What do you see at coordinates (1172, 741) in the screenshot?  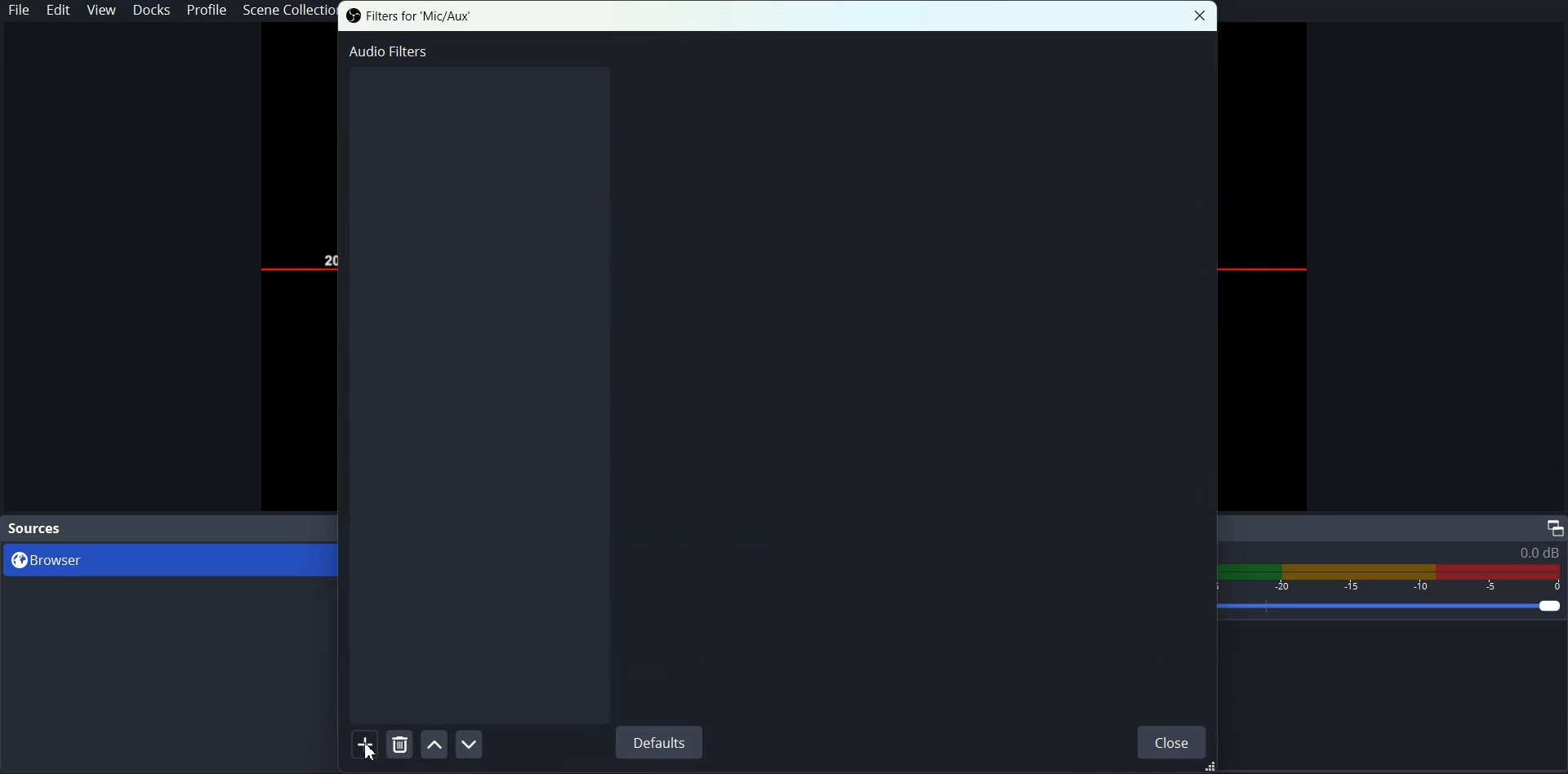 I see `Close` at bounding box center [1172, 741].